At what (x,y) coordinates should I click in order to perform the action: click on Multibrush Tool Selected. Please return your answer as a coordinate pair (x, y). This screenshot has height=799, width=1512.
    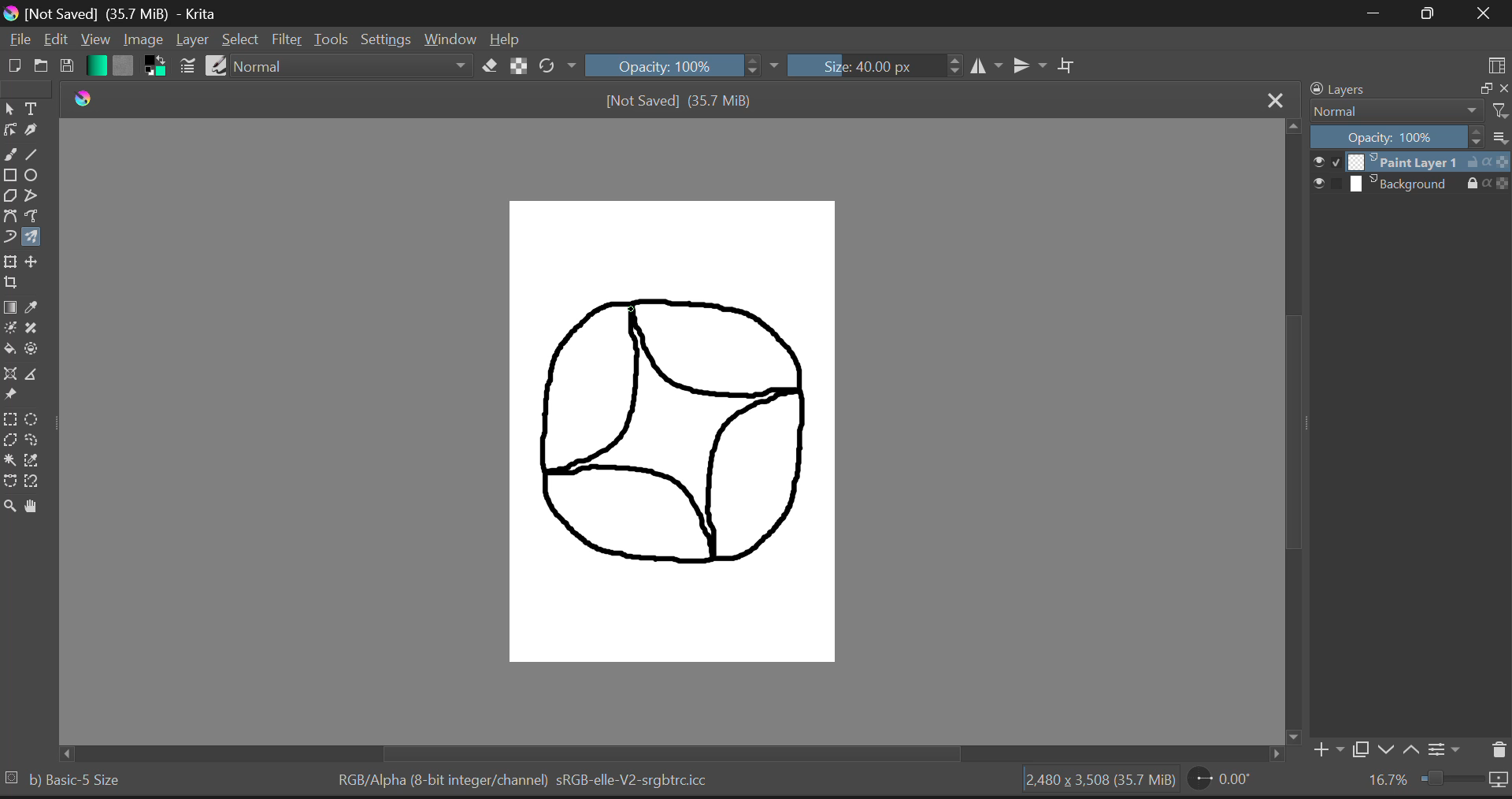
    Looking at the image, I should click on (35, 236).